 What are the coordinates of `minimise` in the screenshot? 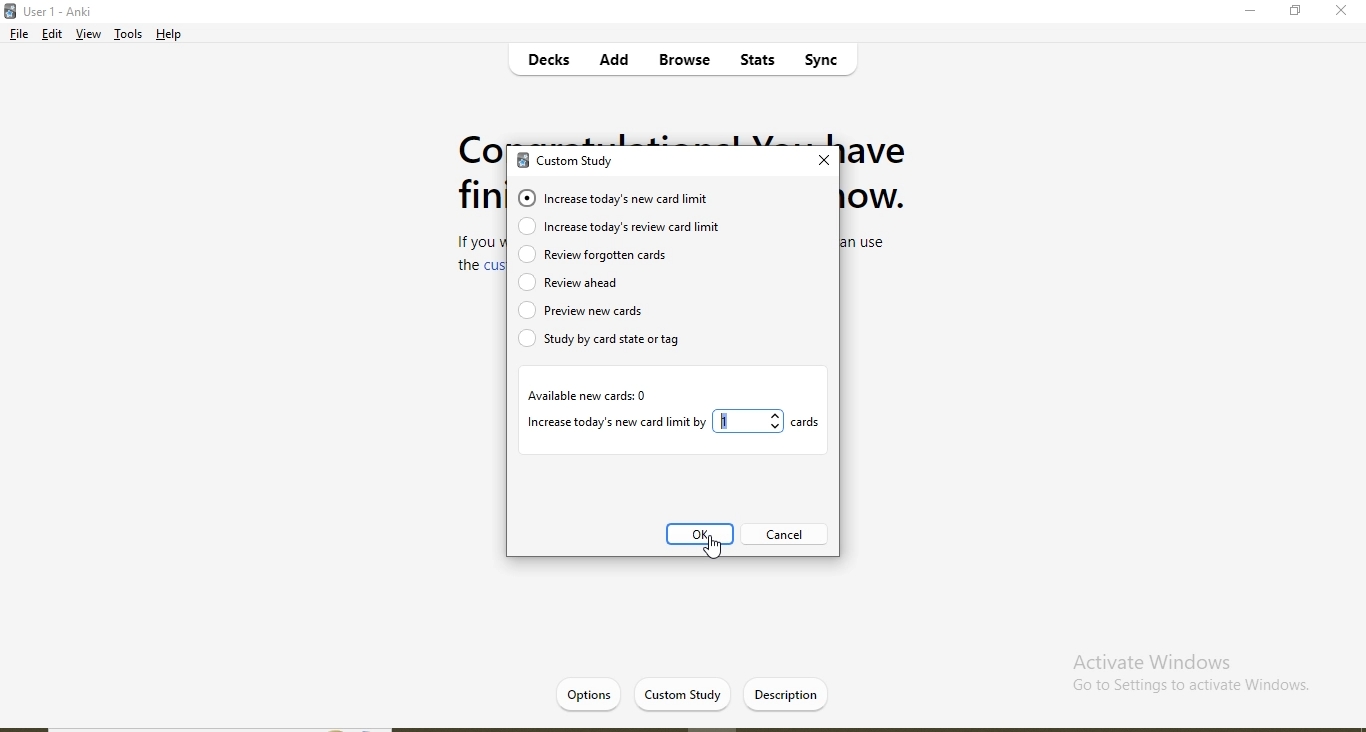 It's located at (1252, 14).